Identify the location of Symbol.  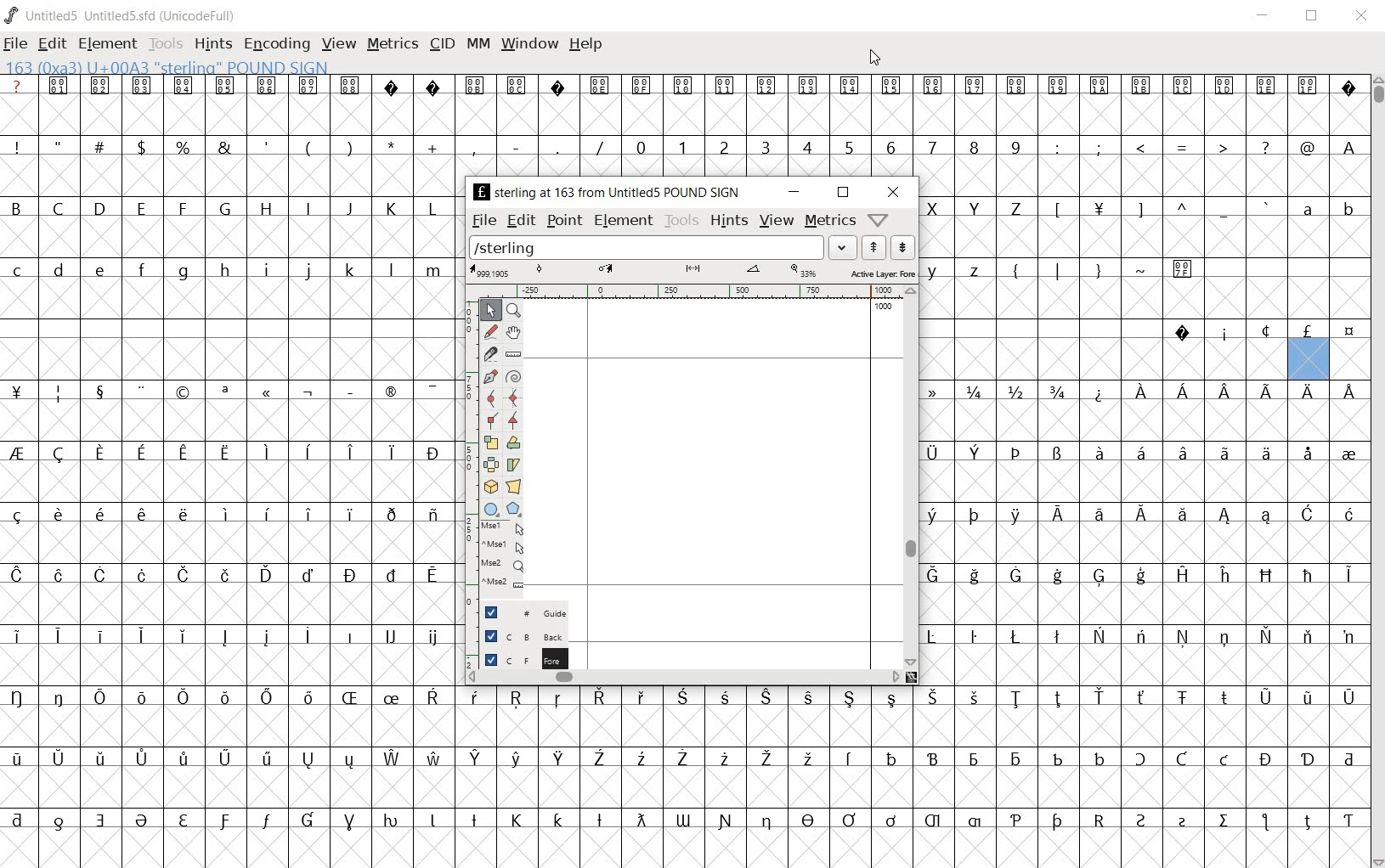
(224, 573).